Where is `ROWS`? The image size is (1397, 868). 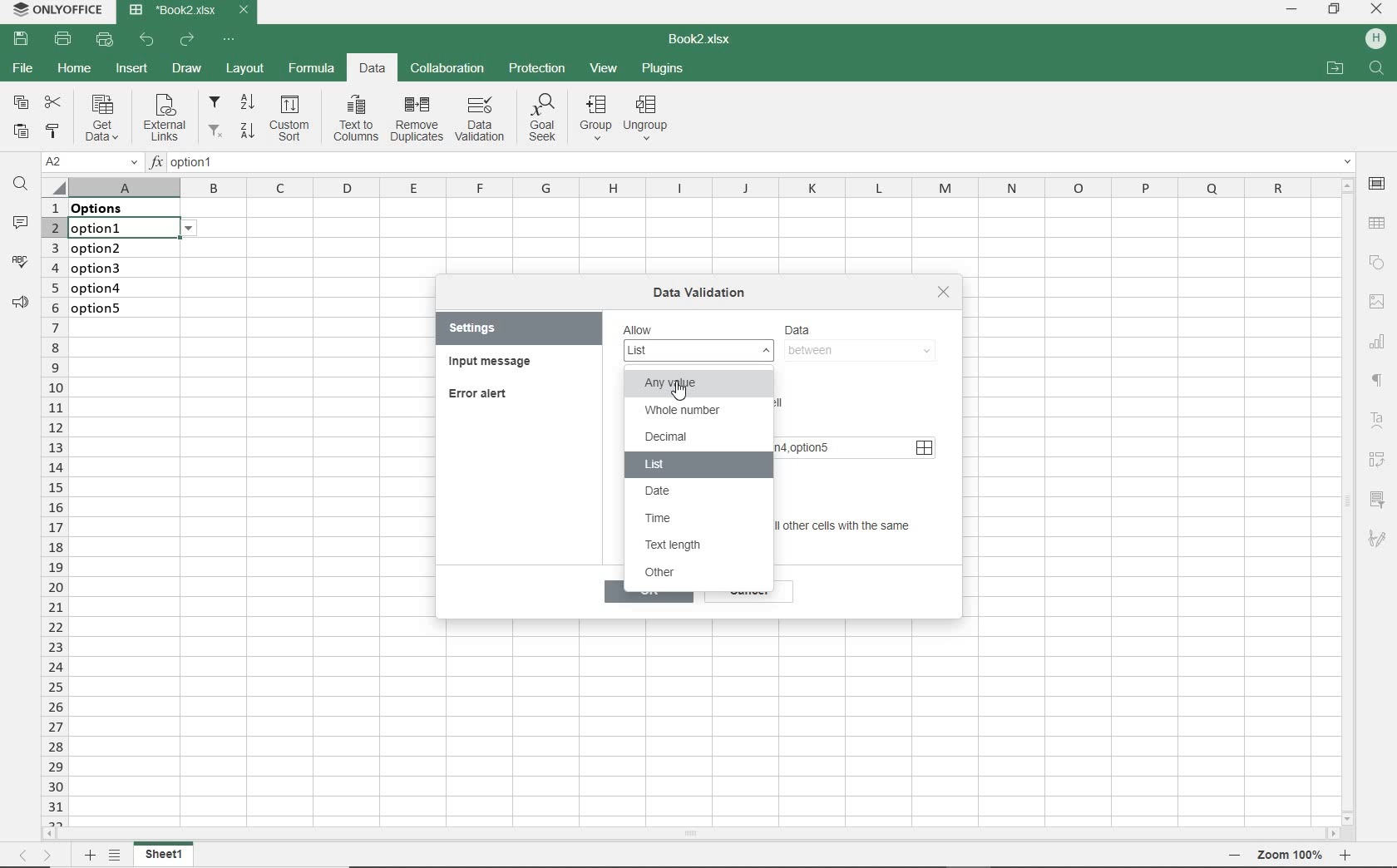 ROWS is located at coordinates (53, 511).